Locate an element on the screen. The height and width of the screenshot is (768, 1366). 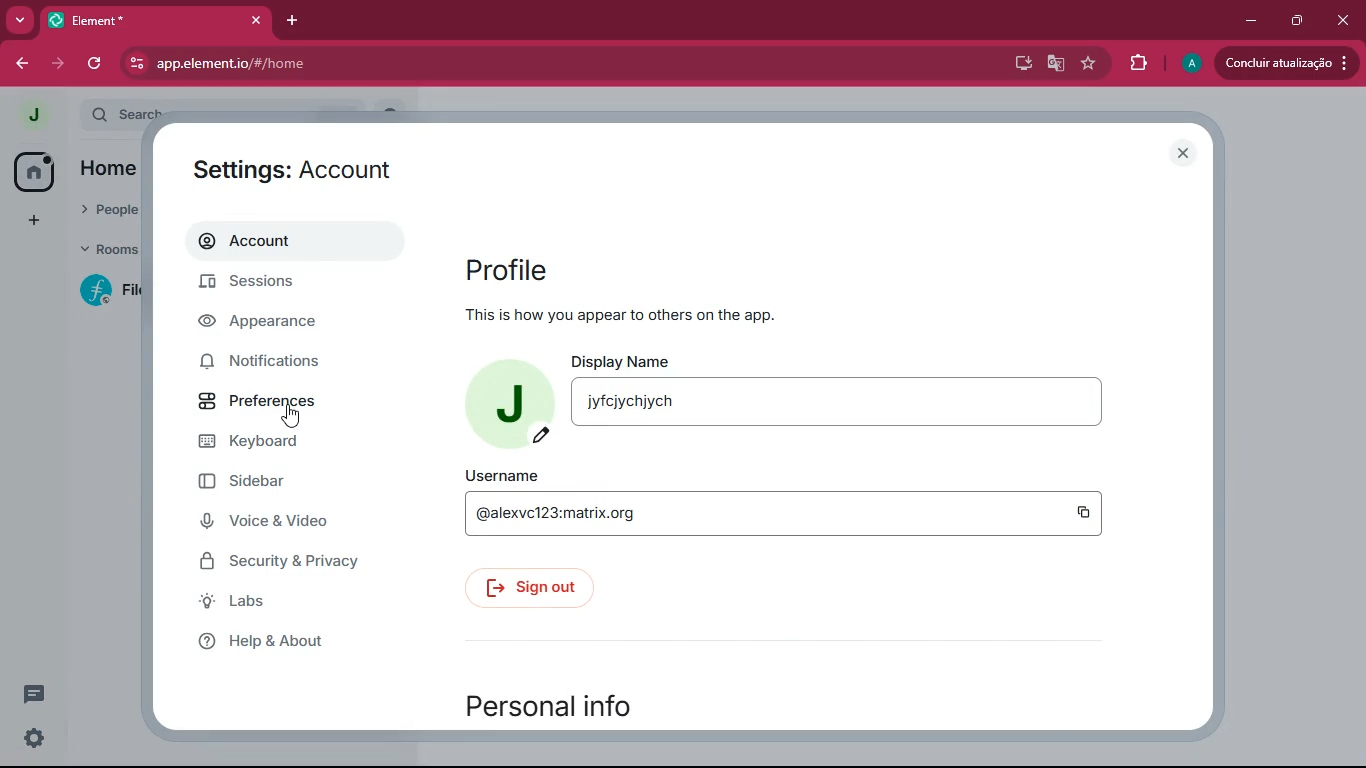
google translate is located at coordinates (1054, 66).